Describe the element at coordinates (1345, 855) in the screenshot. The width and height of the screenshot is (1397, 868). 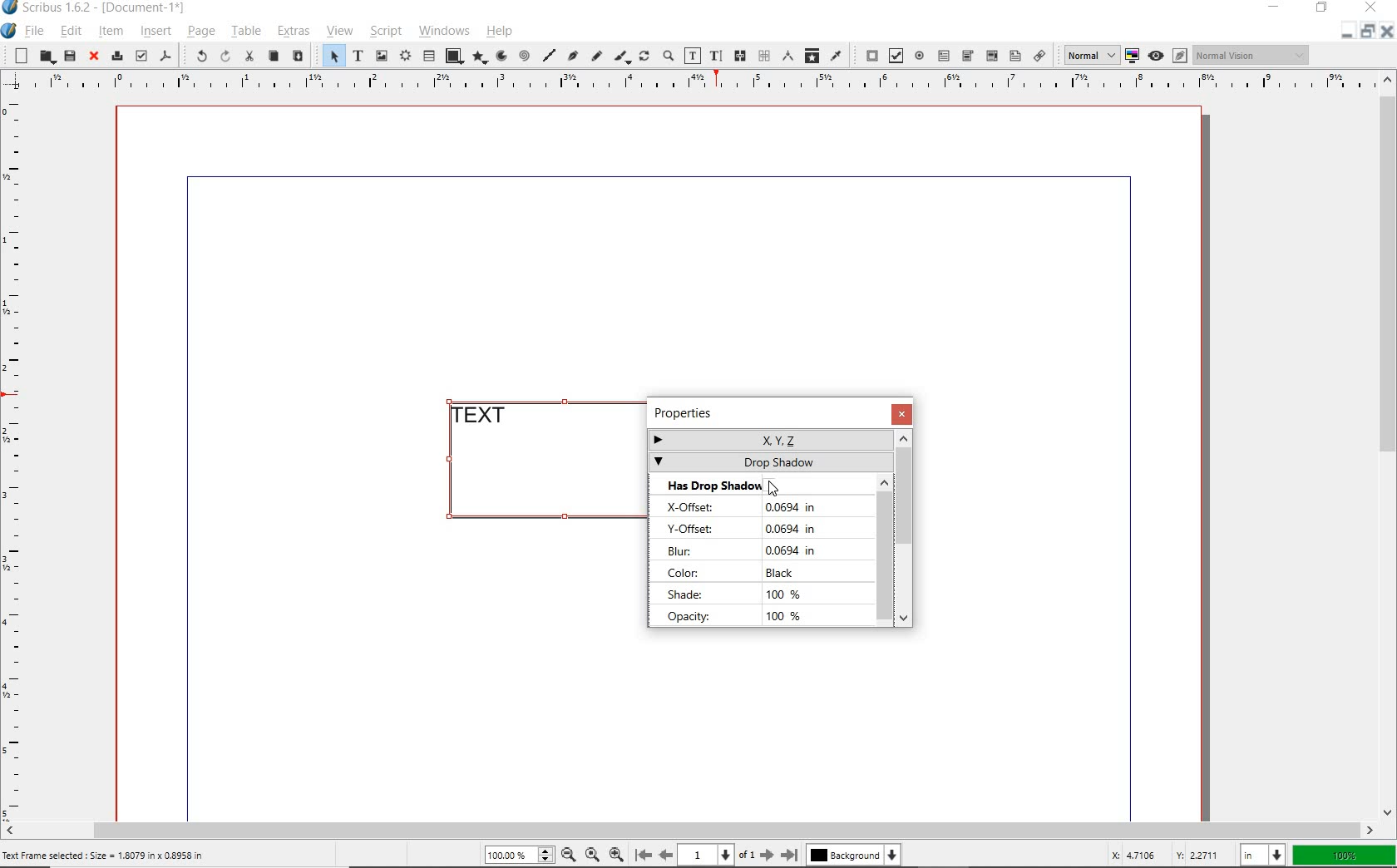
I see `zoom factor` at that location.